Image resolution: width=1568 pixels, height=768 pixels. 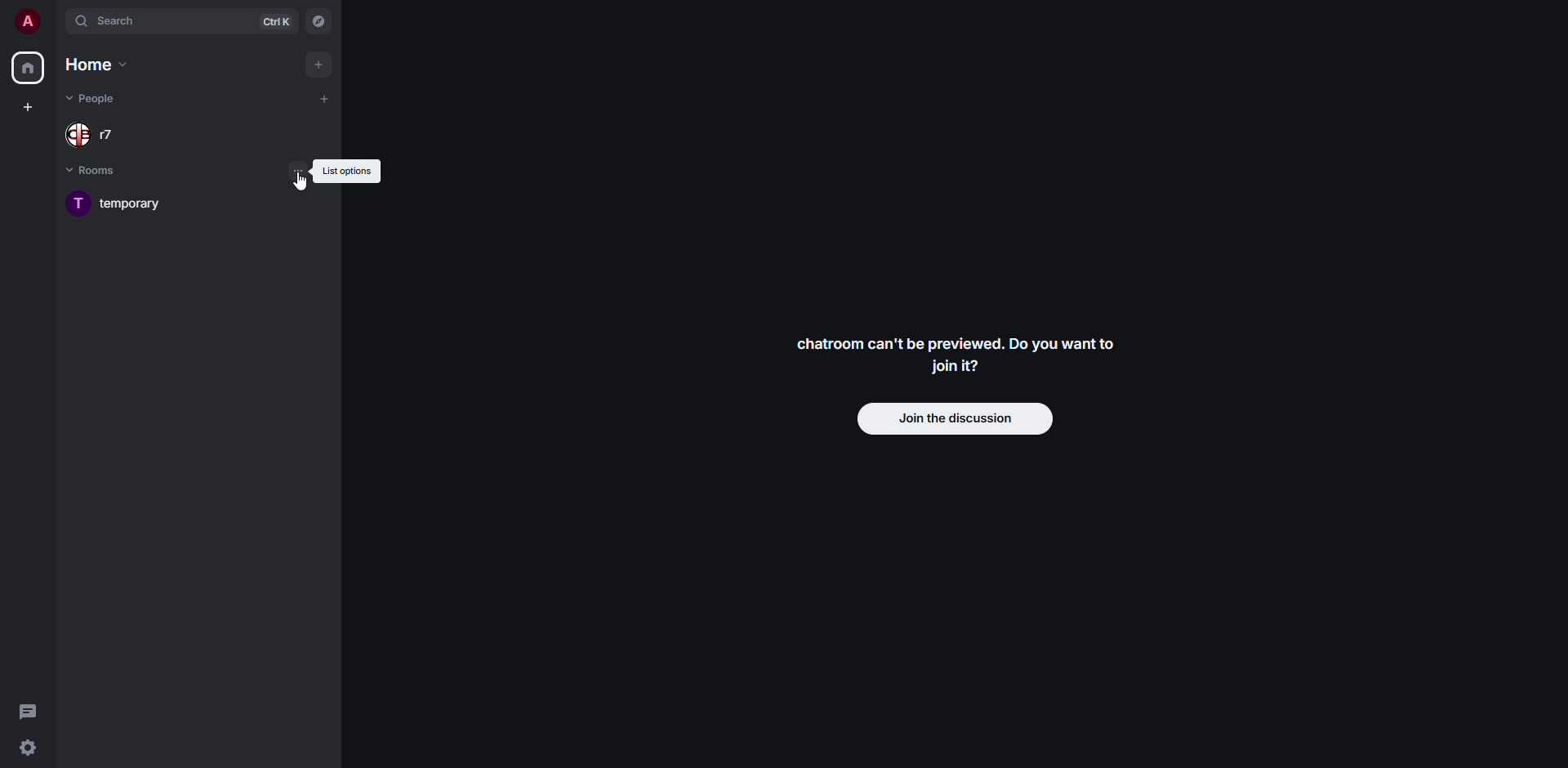 What do you see at coordinates (28, 106) in the screenshot?
I see `create space` at bounding box center [28, 106].